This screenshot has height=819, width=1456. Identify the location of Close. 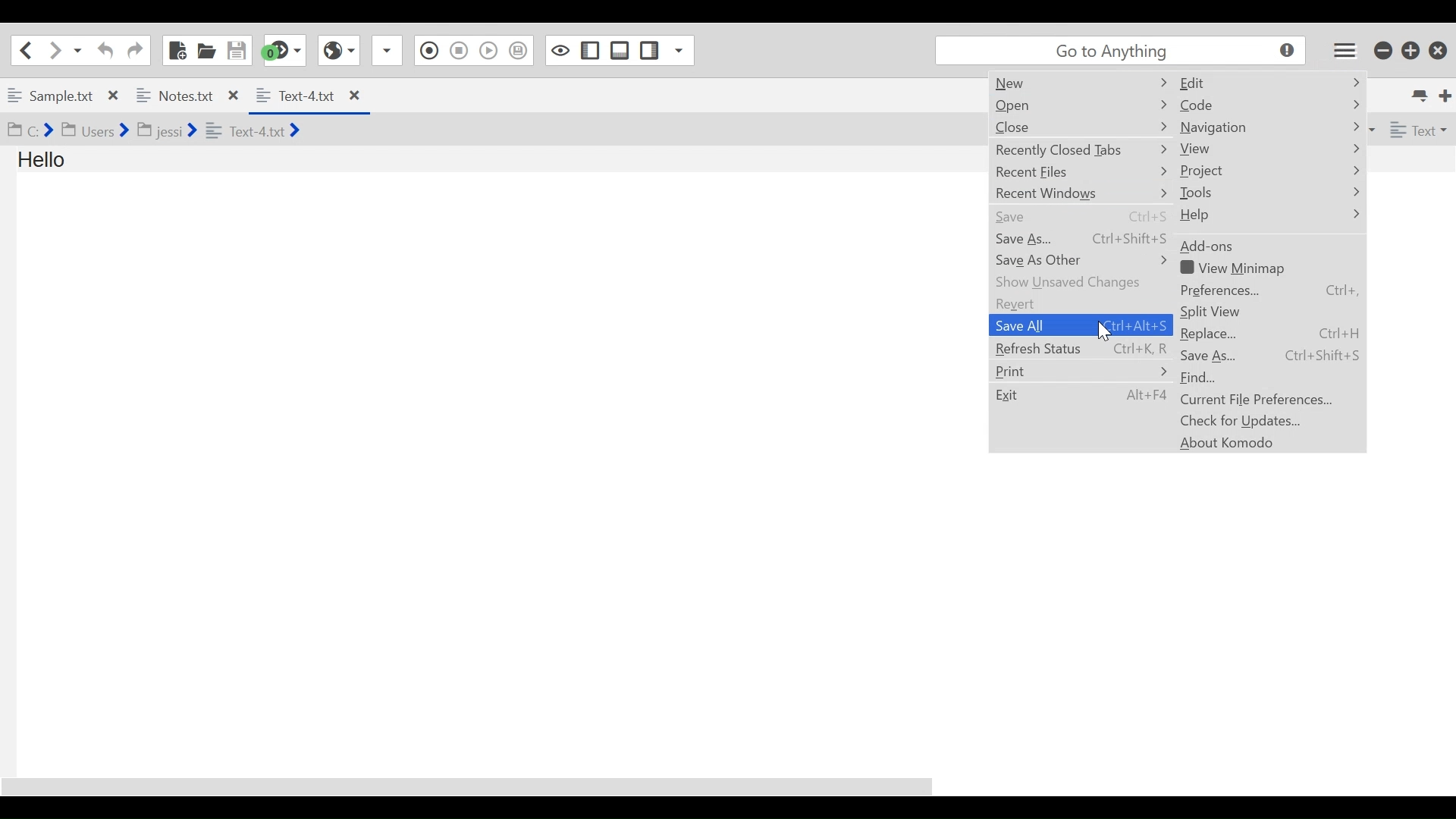
(1081, 127).